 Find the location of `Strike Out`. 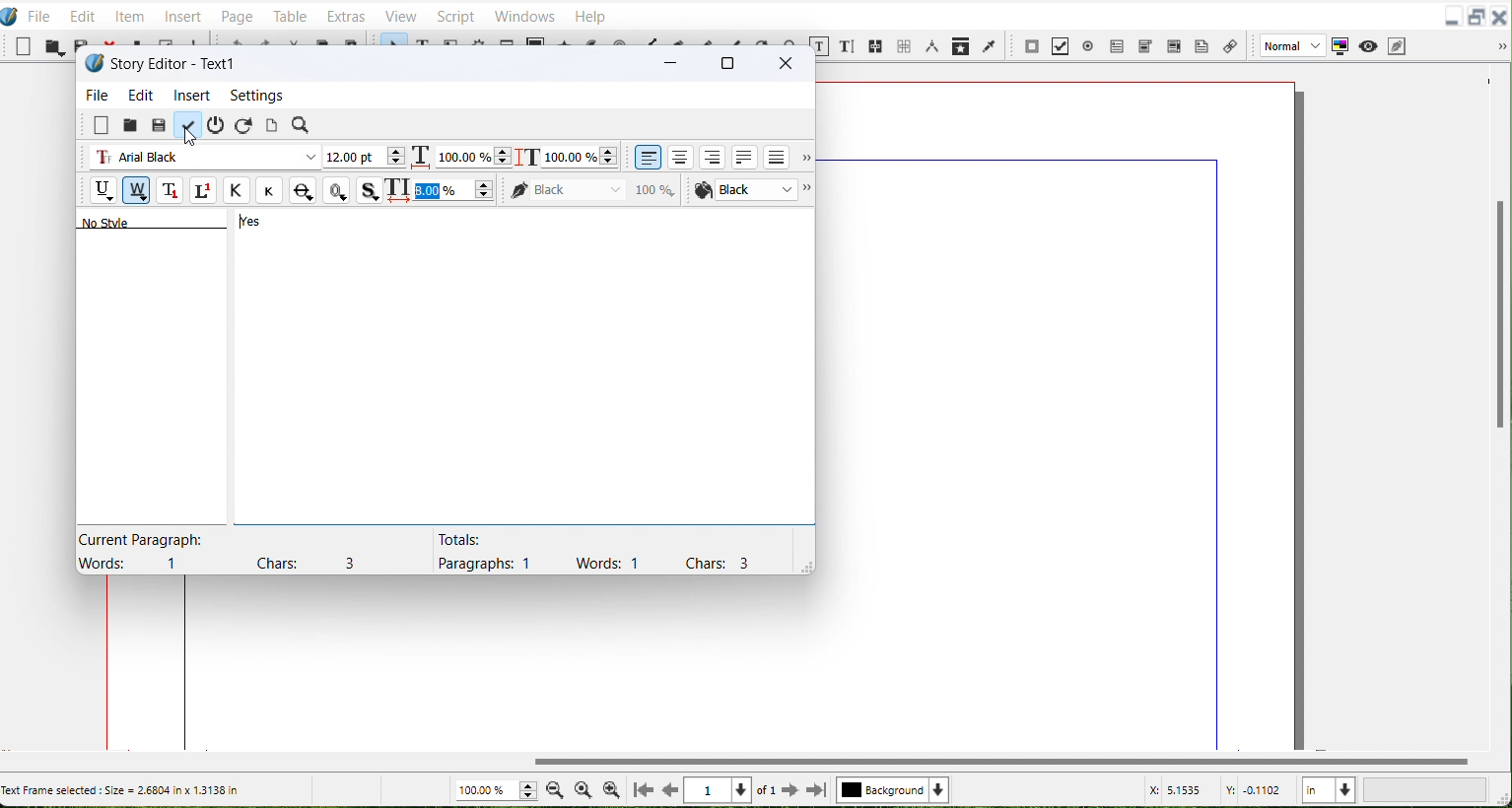

Strike Out is located at coordinates (303, 189).